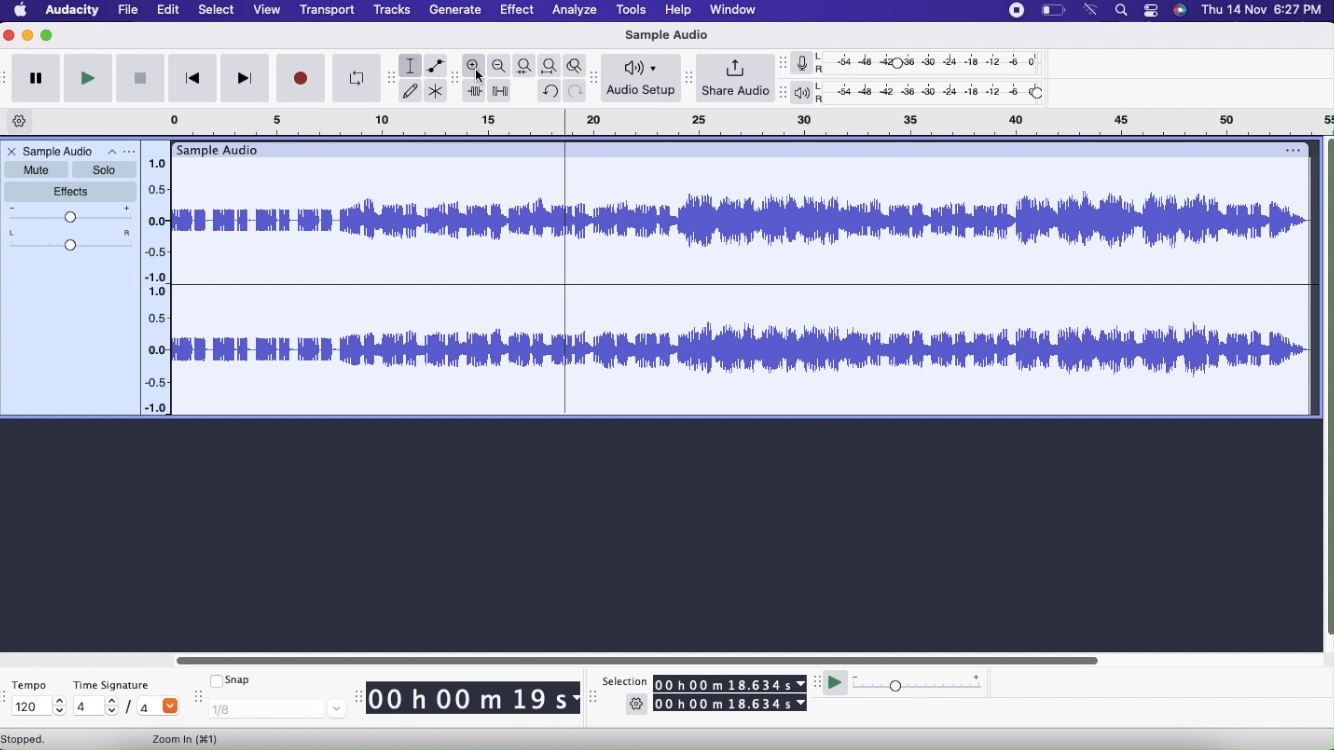 This screenshot has height=750, width=1334. I want to click on Tracks, so click(391, 10).